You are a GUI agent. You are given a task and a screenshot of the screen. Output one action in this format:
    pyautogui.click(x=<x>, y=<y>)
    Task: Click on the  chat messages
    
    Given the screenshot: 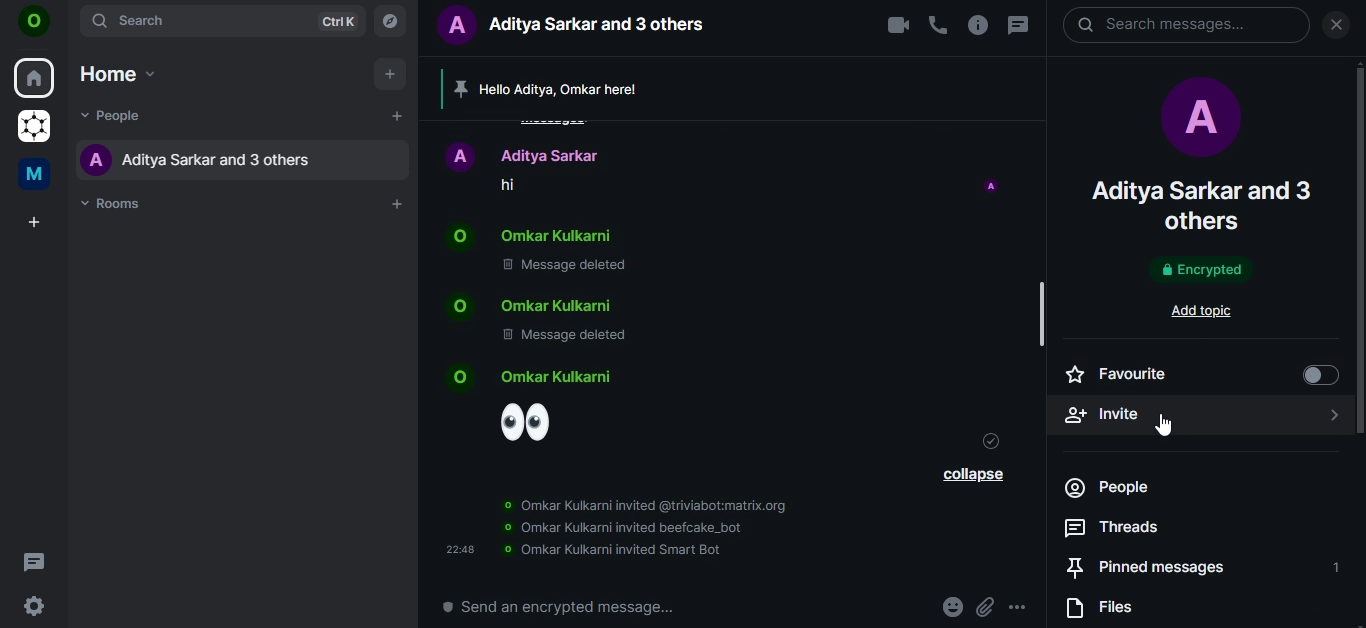 What is the action you would take?
    pyautogui.click(x=664, y=253)
    